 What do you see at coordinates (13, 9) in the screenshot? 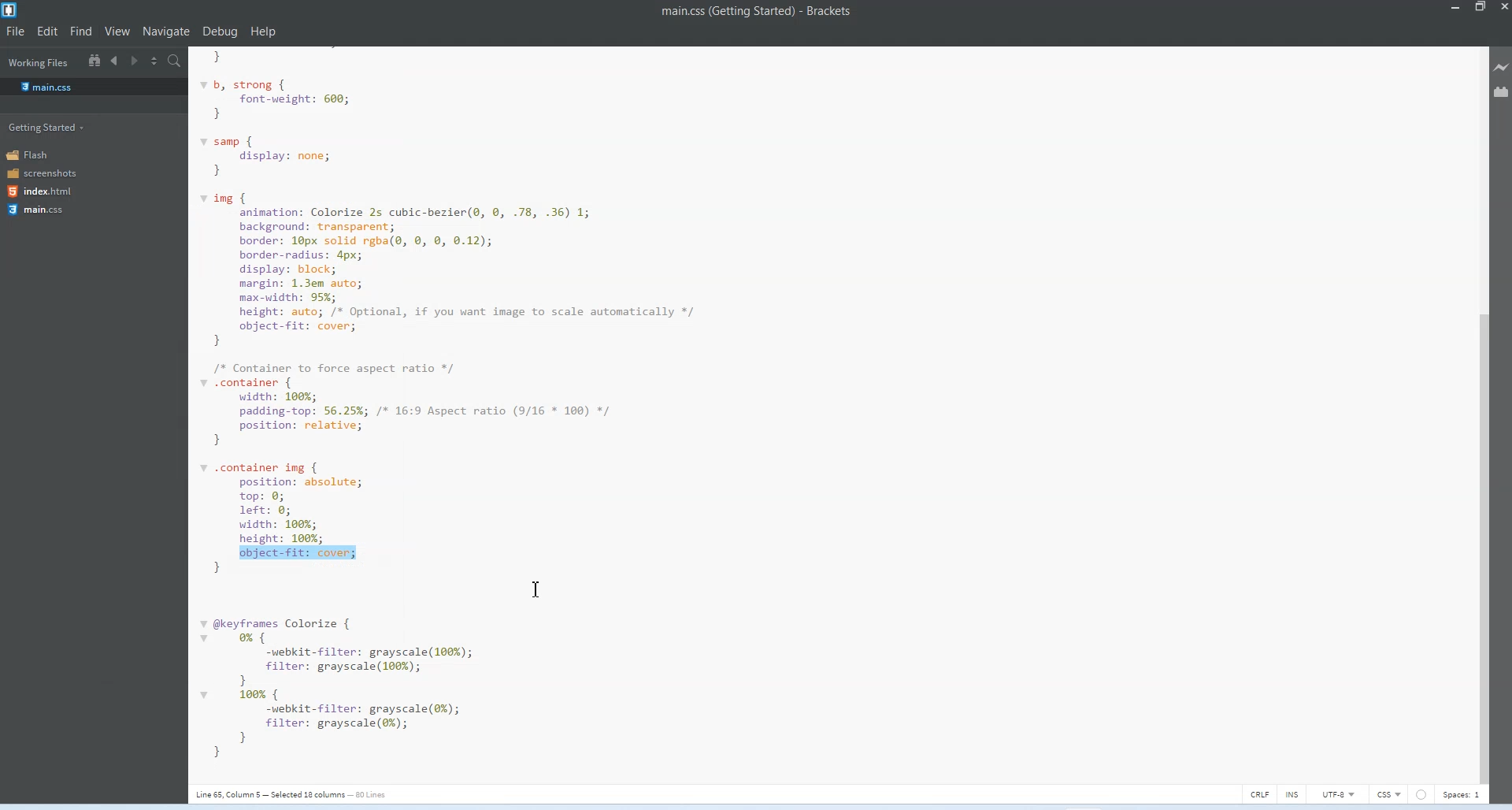
I see `Logo` at bounding box center [13, 9].